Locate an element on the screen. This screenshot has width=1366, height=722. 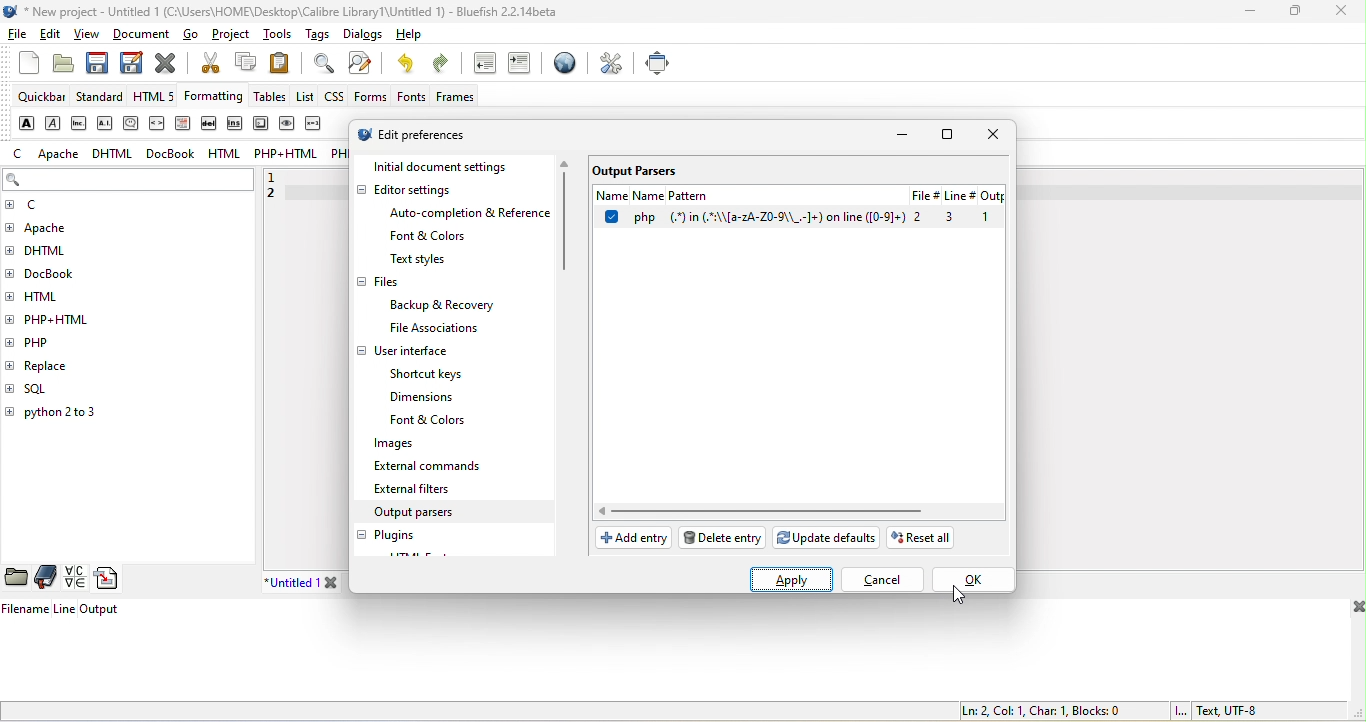
browser is located at coordinates (562, 67).